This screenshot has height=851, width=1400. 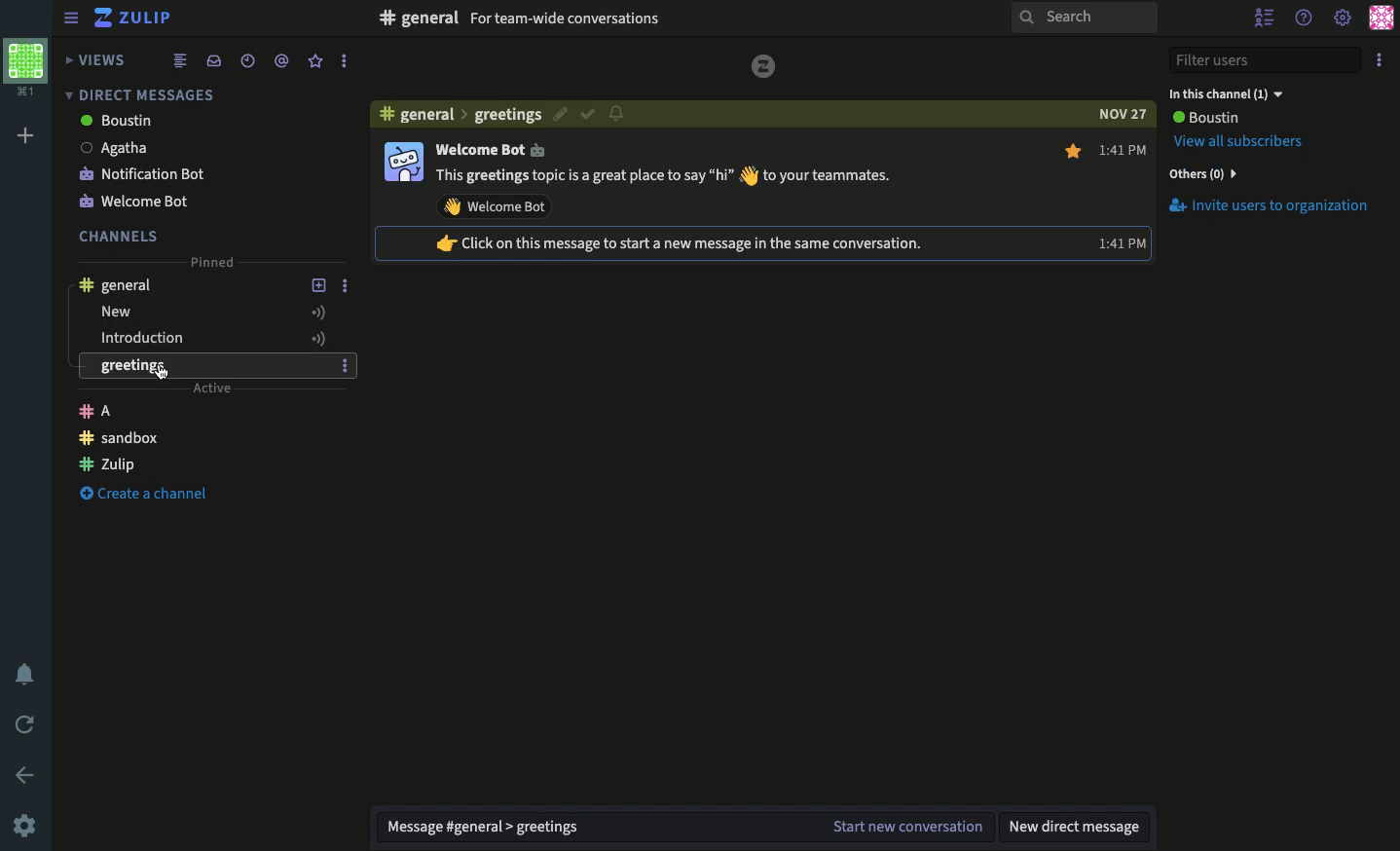 What do you see at coordinates (567, 19) in the screenshot?
I see `For team wide conversations` at bounding box center [567, 19].